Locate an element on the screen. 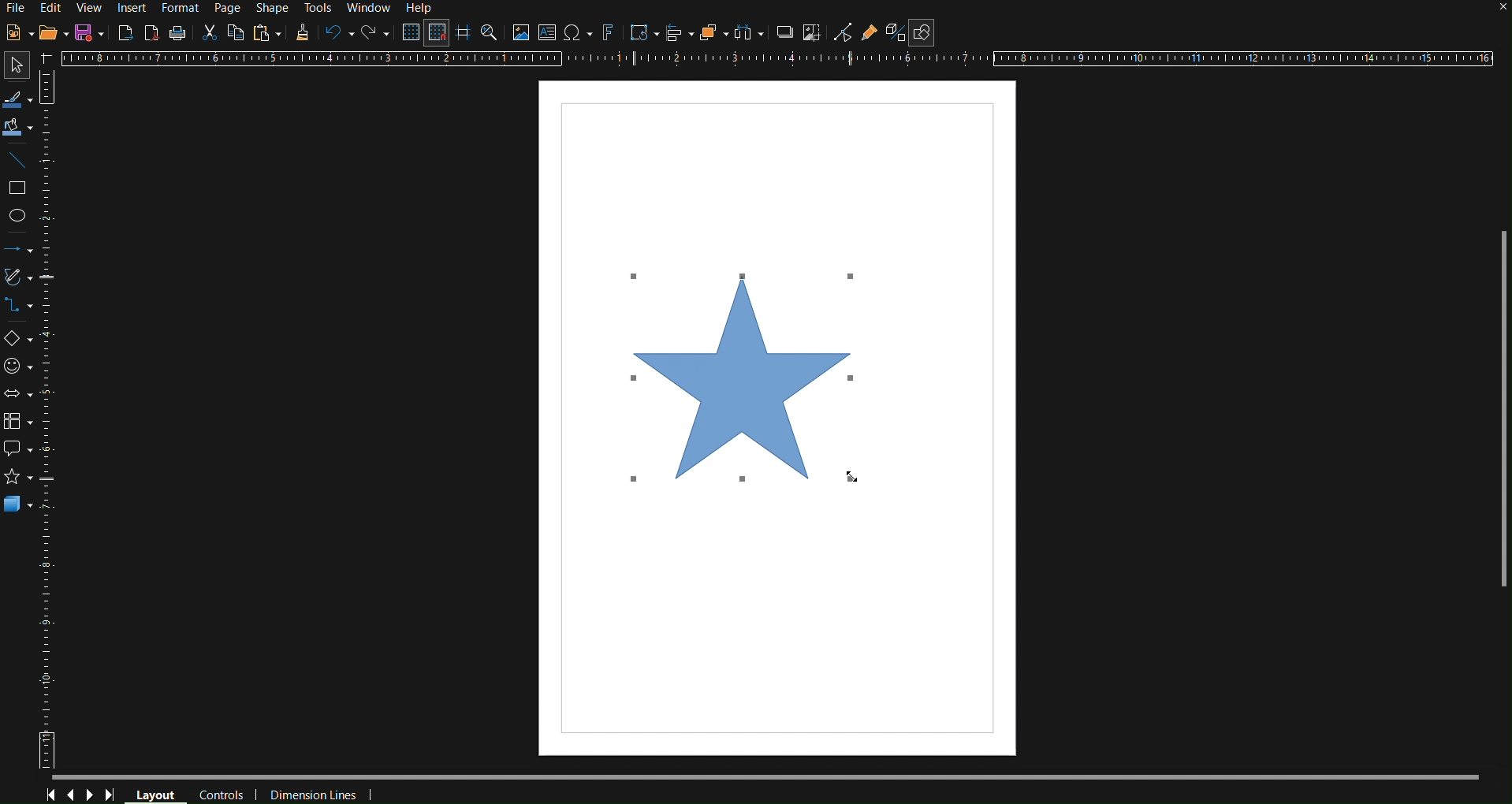  Shadow is located at coordinates (782, 35).